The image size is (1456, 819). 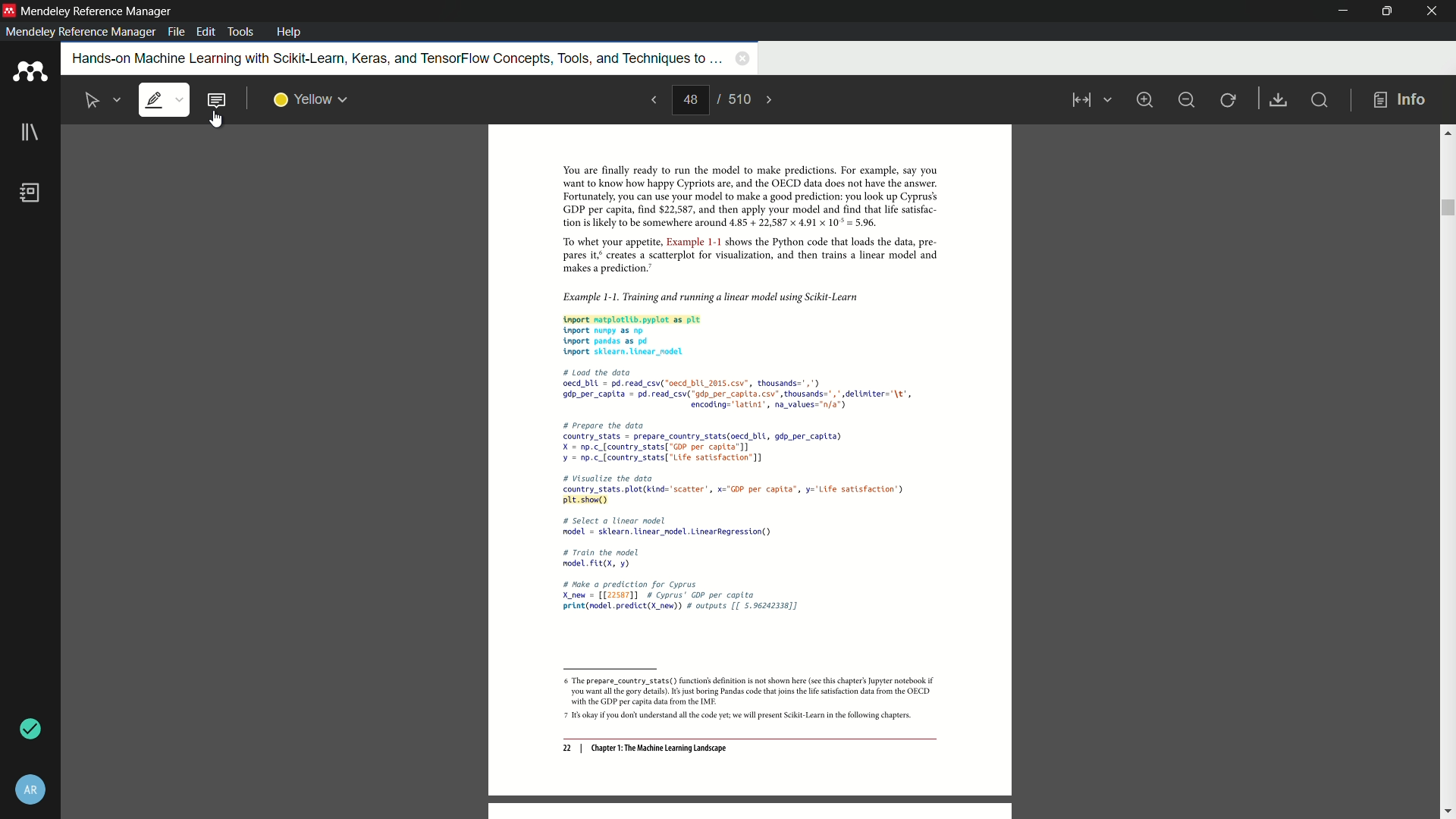 I want to click on # Load the data

oecd_bUL = pd. read_csv("oecd_bLL 2015.csv”, thousands=",")

9dp_per_captta = pd.read_csv("gdp_per capita. csv’, thousands=",* delintter="\t',
encoding="latini’, na_values="n/a")

# prepare the data

country_stats = prepare_country_stats(aecd bli, gdp_per capita)

X = np.c_[country_stats[ "GOP per captta’]]

¥ = np.c_(country_stats[ "Life satisfaction]

# Visualize the dota

country_stats. plot(kind="scatter, x="G0P per capita”, y='Life satisfaction’)

pt. show()

# select a linear nodel

nodel = sklearn. linear_nodel. LinearRegression()

# Train the model

nodelFLL(X, ¥)

# Nake a prediction for Cyprus

X_new = [[22567]] # Cyprus’ GOP per capita

print(nodel.predict(X new) # outputs [[ 5.96242338]], so click(x=741, y=493).